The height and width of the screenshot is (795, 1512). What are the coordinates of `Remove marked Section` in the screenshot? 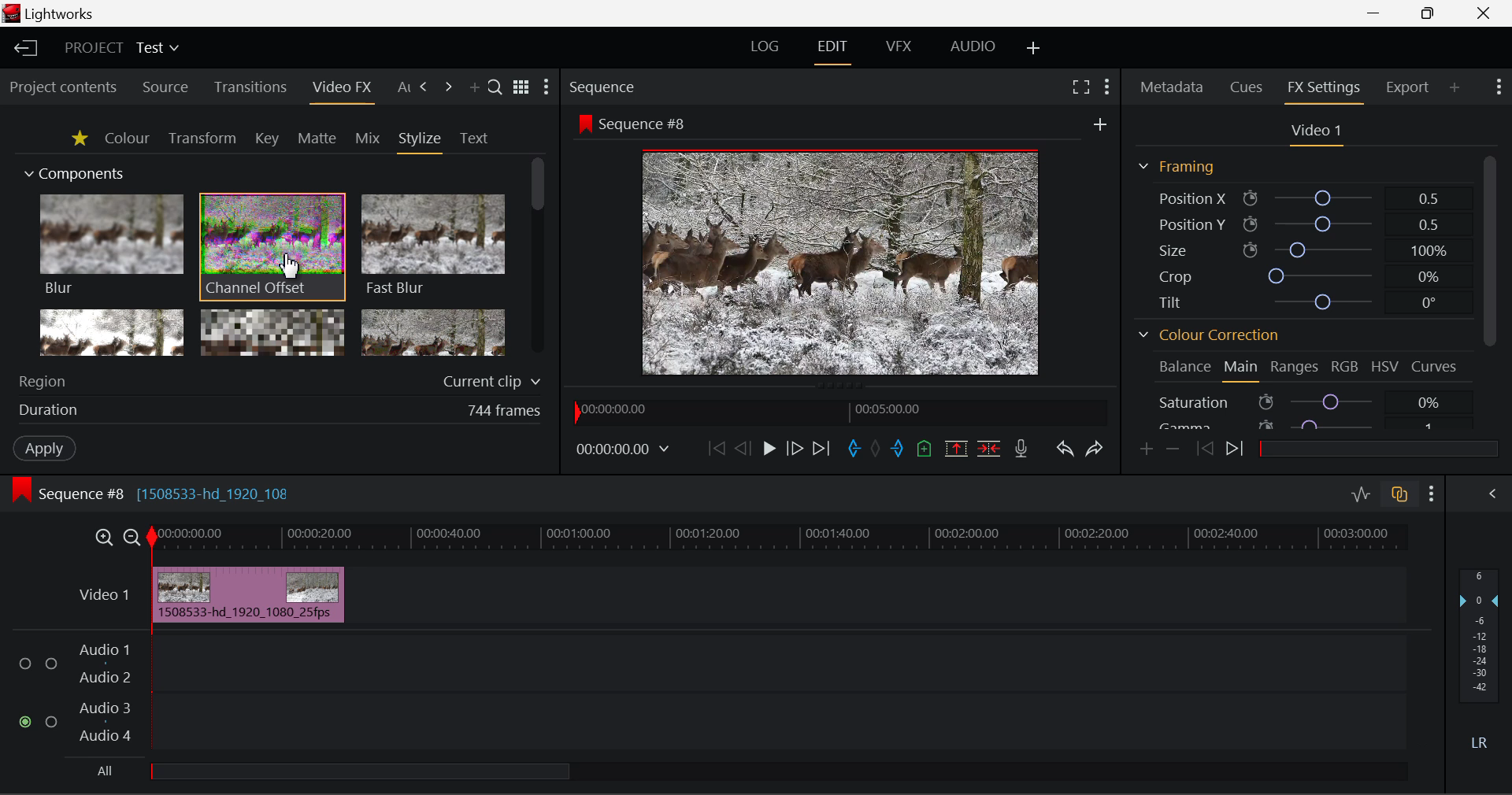 It's located at (959, 449).